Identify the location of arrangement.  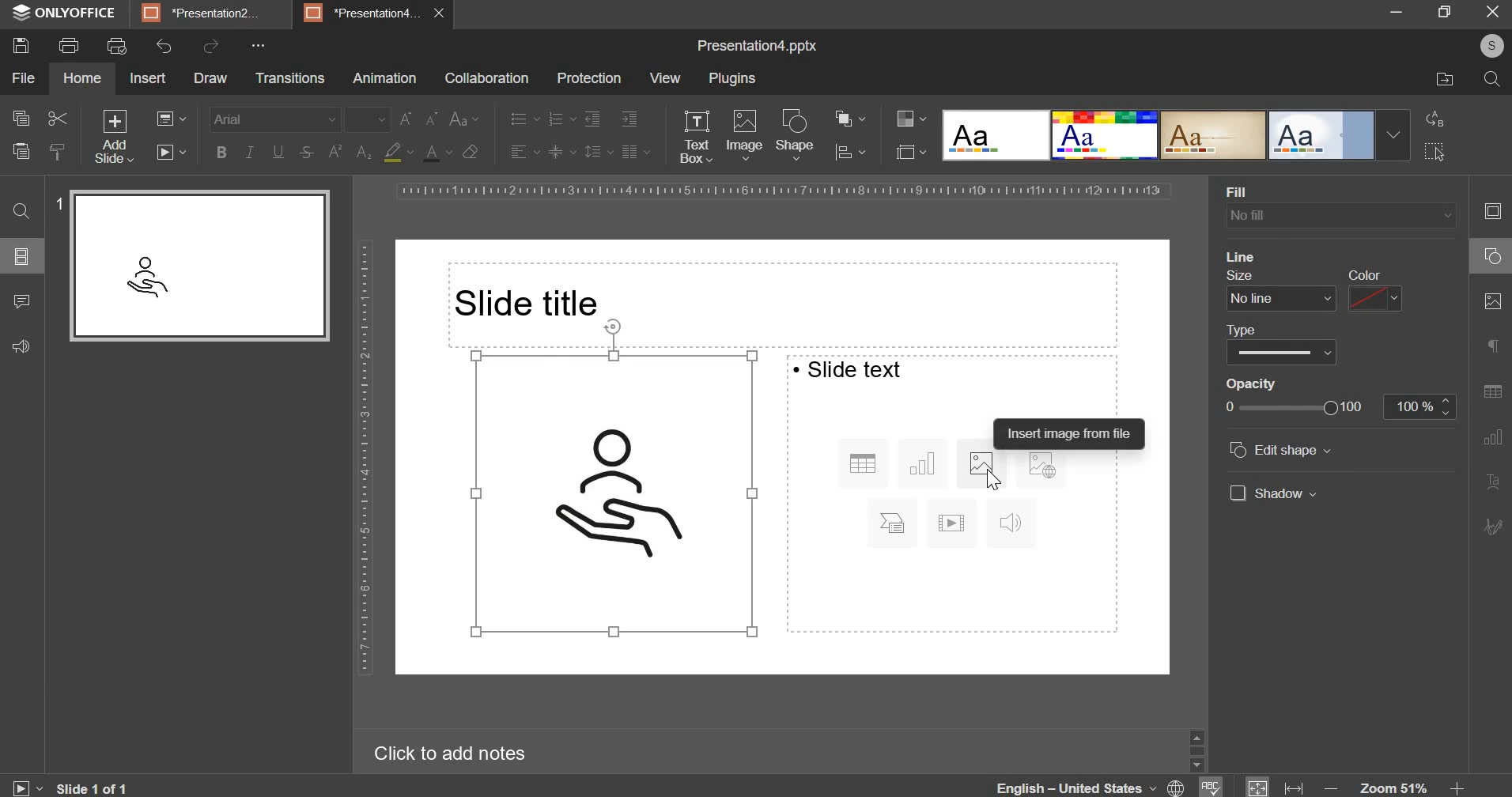
(845, 116).